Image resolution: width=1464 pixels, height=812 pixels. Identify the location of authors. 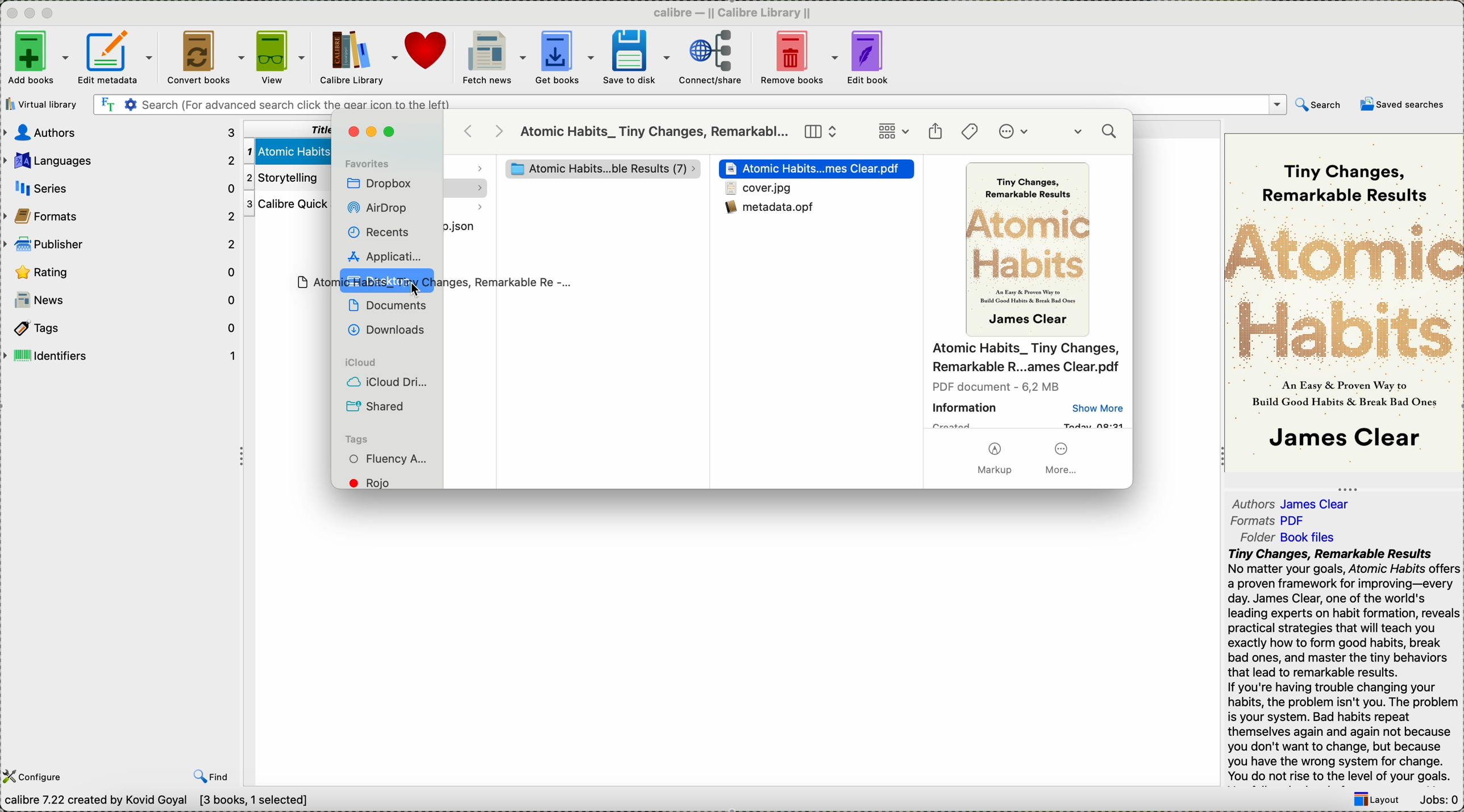
(1294, 501).